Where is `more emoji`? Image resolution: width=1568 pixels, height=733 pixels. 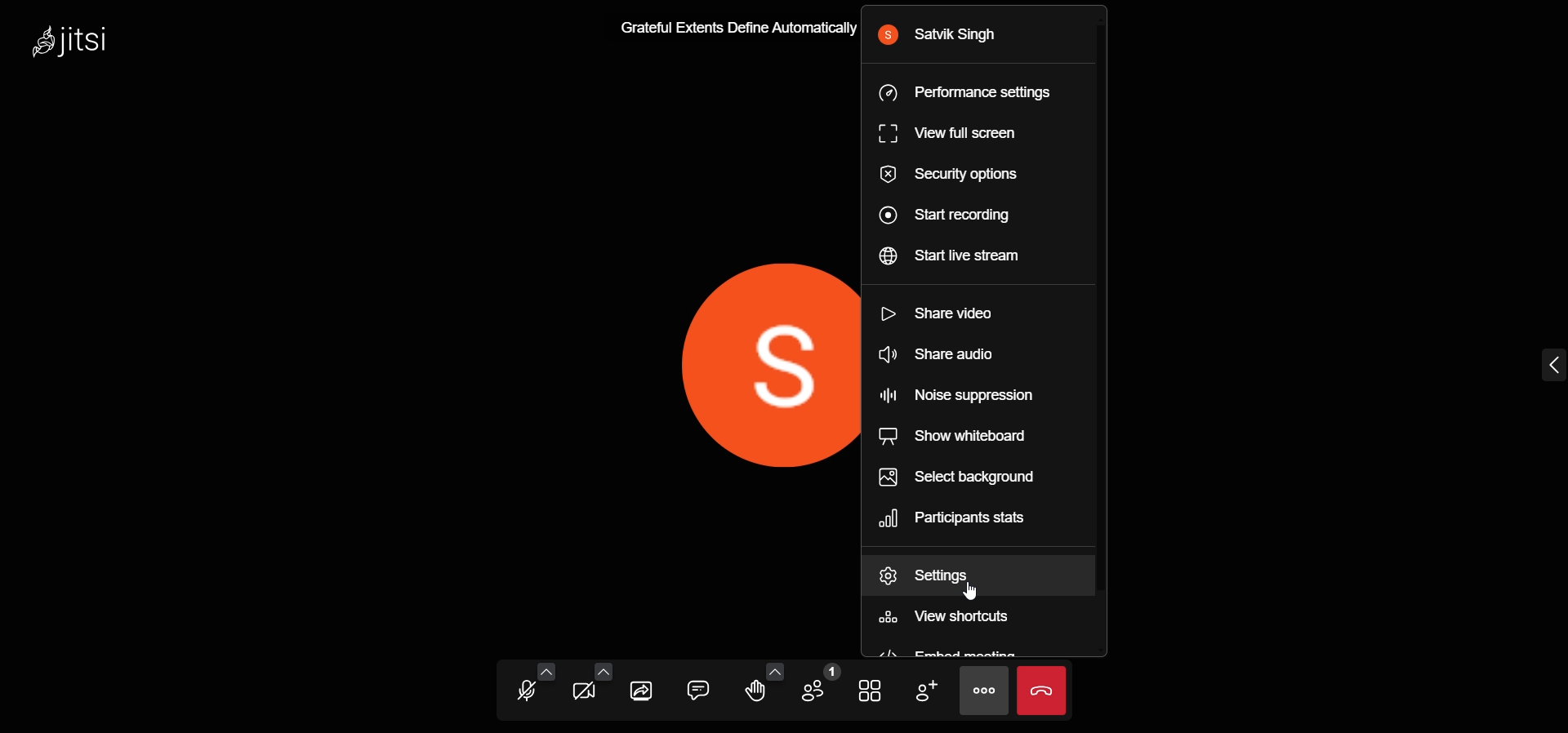
more emoji is located at coordinates (775, 668).